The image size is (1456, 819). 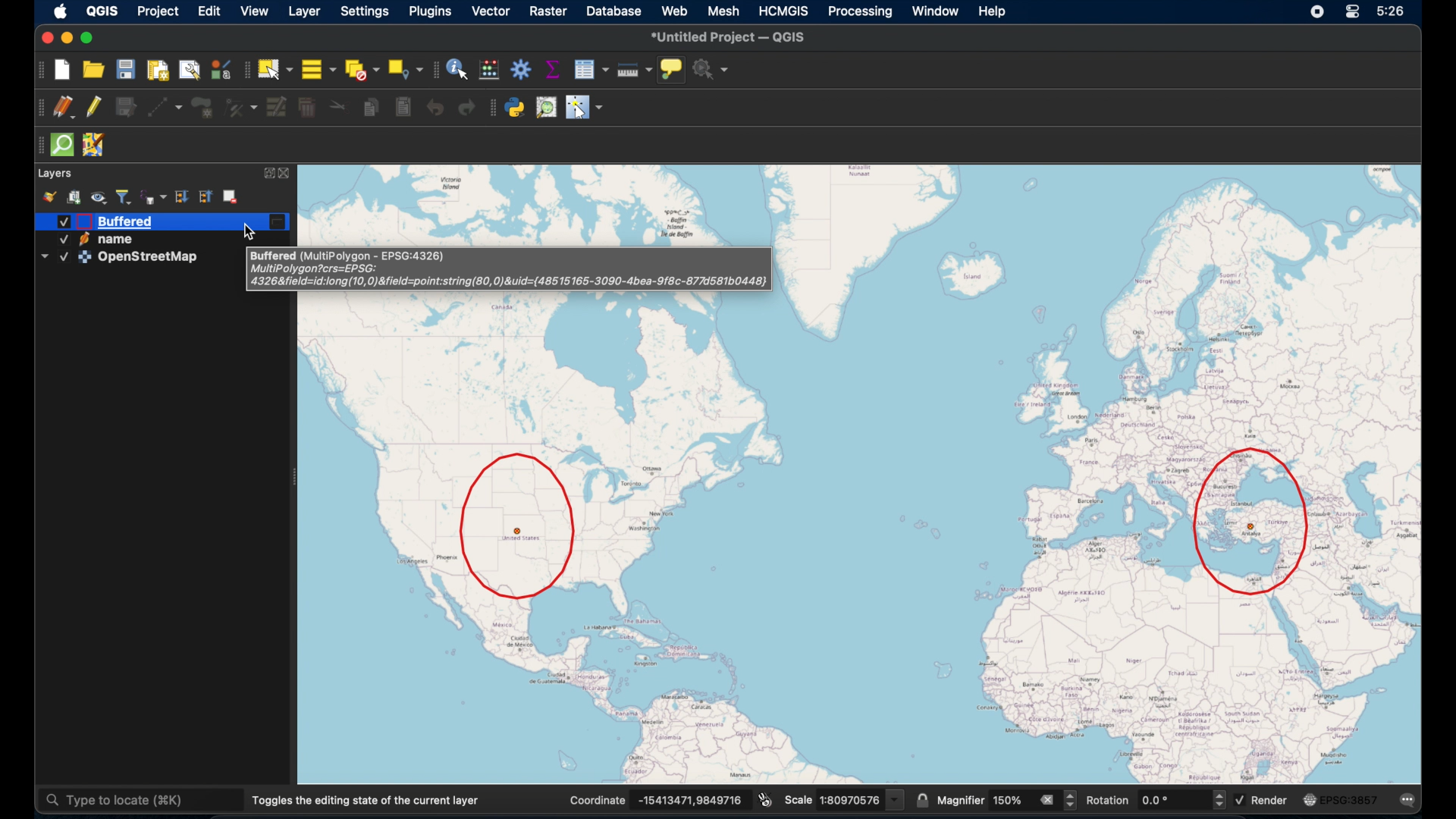 What do you see at coordinates (121, 257) in the screenshot?
I see `active OpenStreetMap layer` at bounding box center [121, 257].